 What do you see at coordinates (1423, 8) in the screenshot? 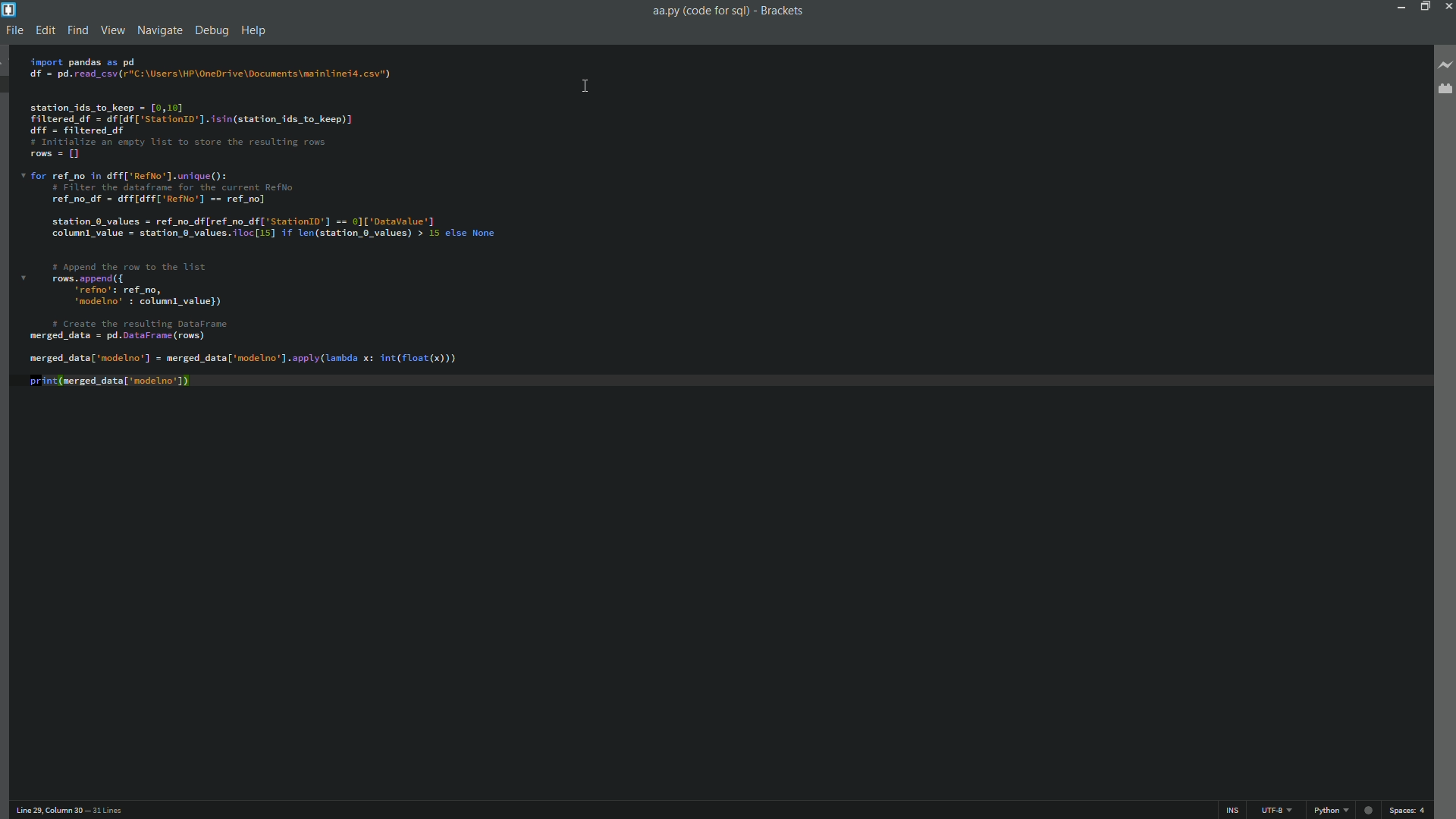
I see `maximize button` at bounding box center [1423, 8].